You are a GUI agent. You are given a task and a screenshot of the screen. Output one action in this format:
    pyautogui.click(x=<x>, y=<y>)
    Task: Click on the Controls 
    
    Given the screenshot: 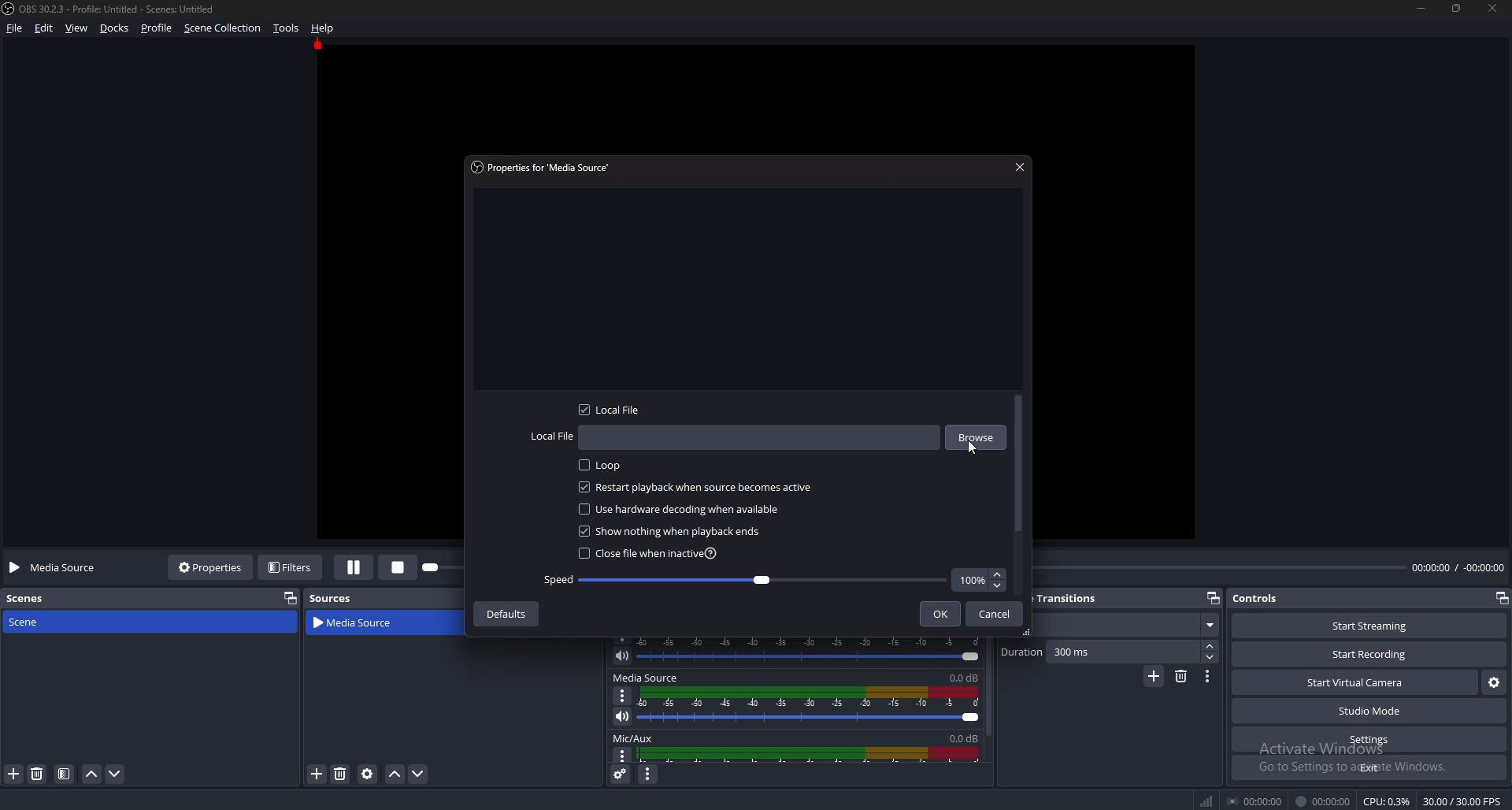 What is the action you would take?
    pyautogui.click(x=1258, y=598)
    